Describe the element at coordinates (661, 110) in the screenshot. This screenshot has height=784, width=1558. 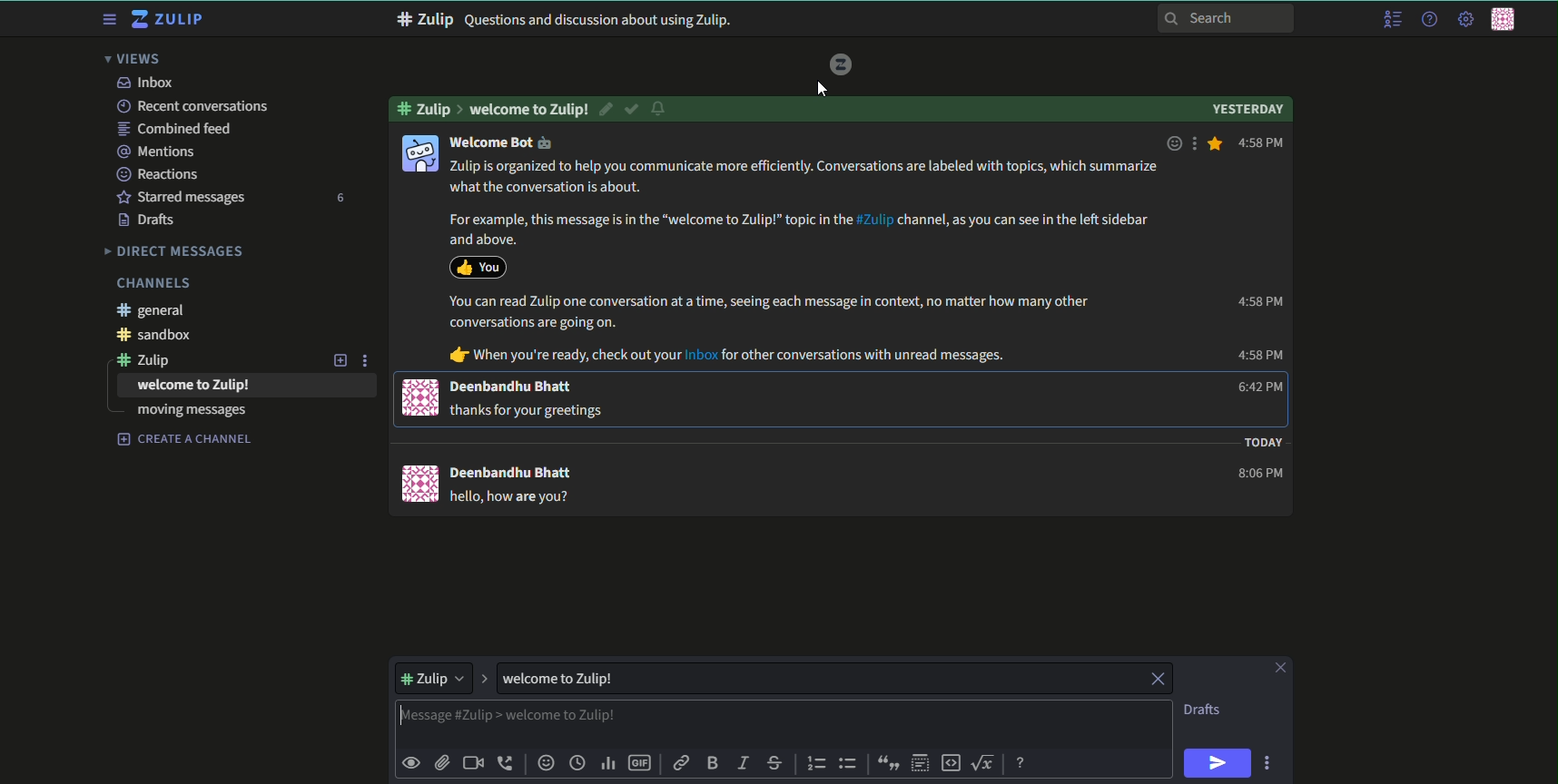
I see `notification` at that location.